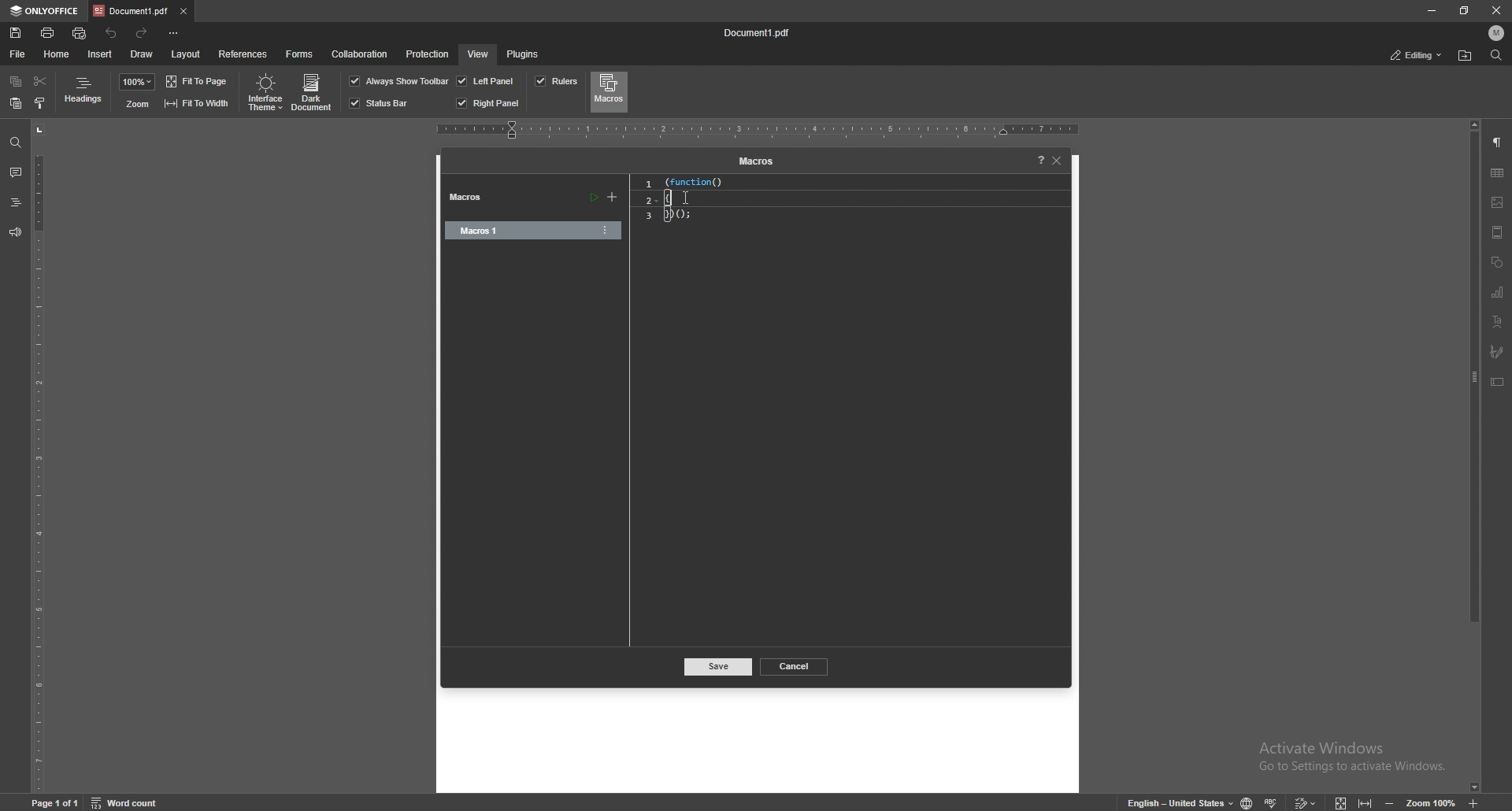 The height and width of the screenshot is (811, 1512). What do you see at coordinates (15, 172) in the screenshot?
I see `comment` at bounding box center [15, 172].